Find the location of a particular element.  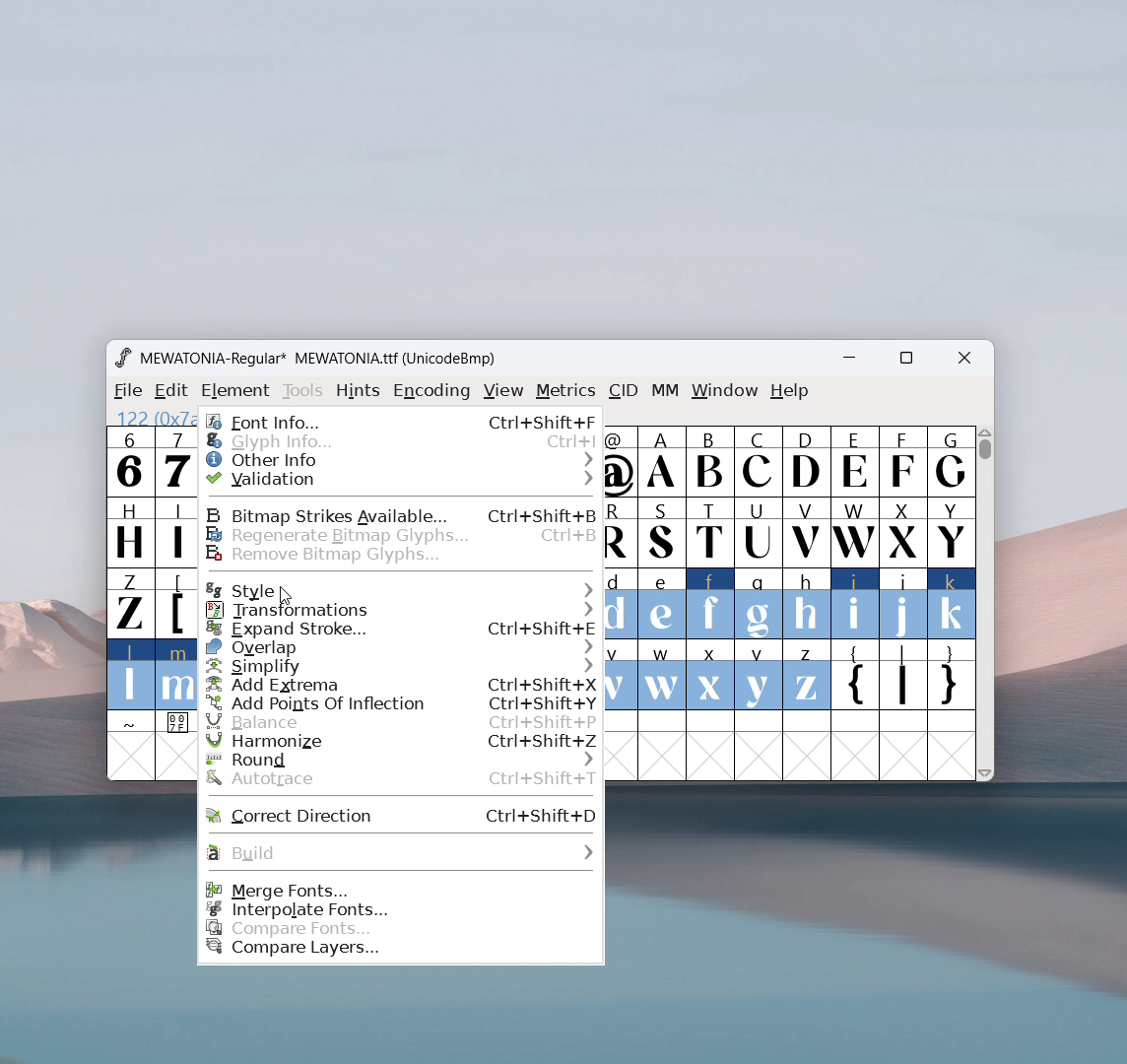

{ is located at coordinates (854, 677).